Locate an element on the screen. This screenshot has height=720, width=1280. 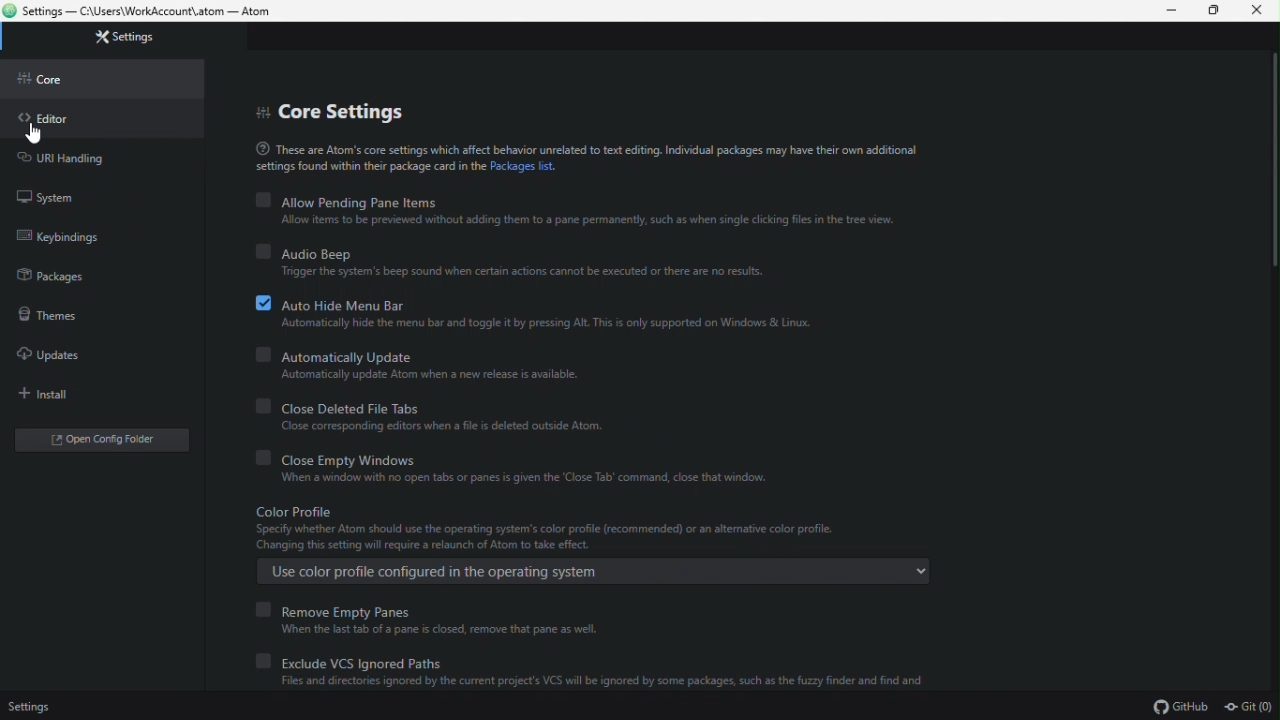
Clothes empty Windows is located at coordinates (527, 459).